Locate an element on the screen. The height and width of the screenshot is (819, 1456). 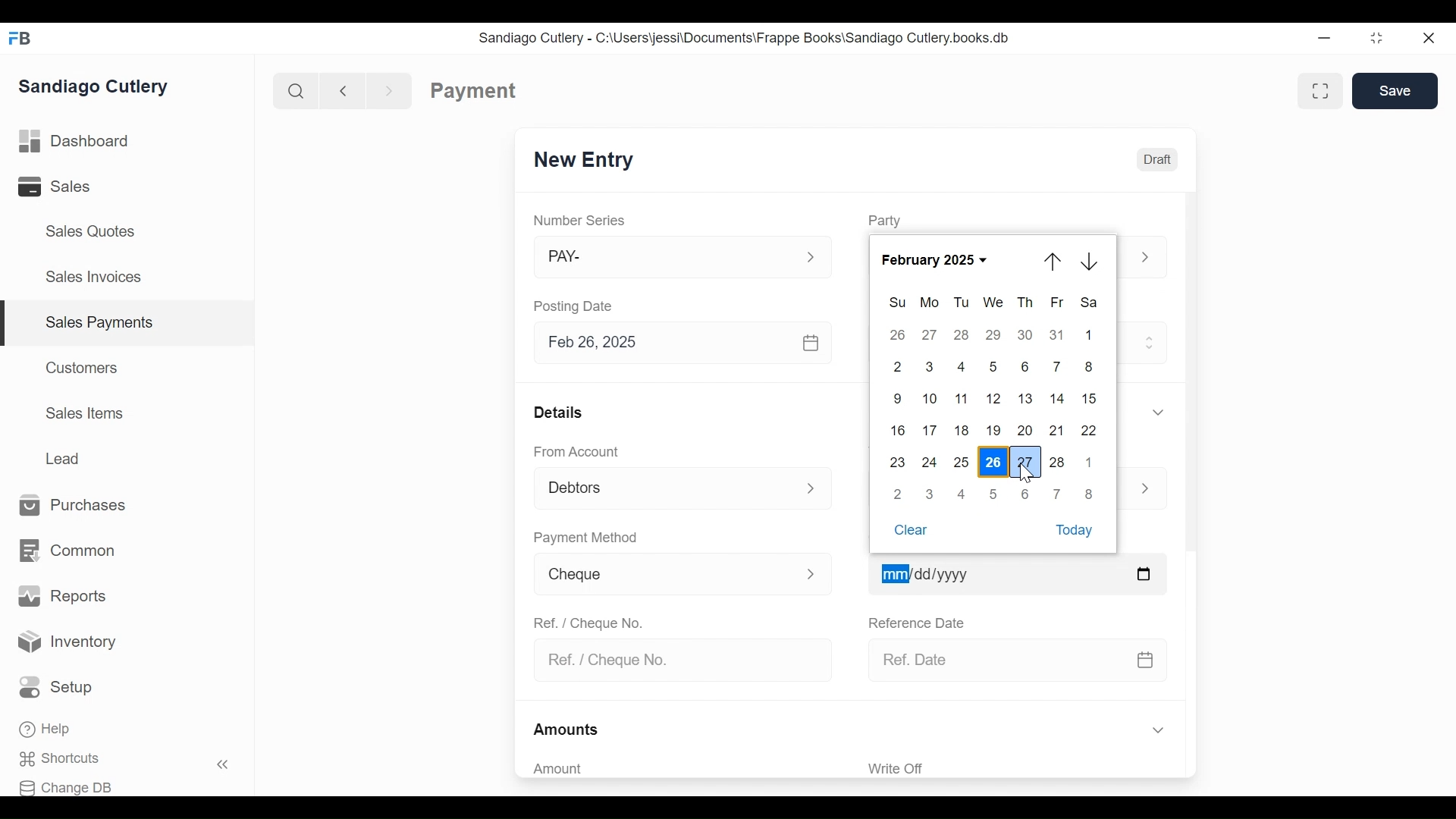
4 is located at coordinates (962, 366).